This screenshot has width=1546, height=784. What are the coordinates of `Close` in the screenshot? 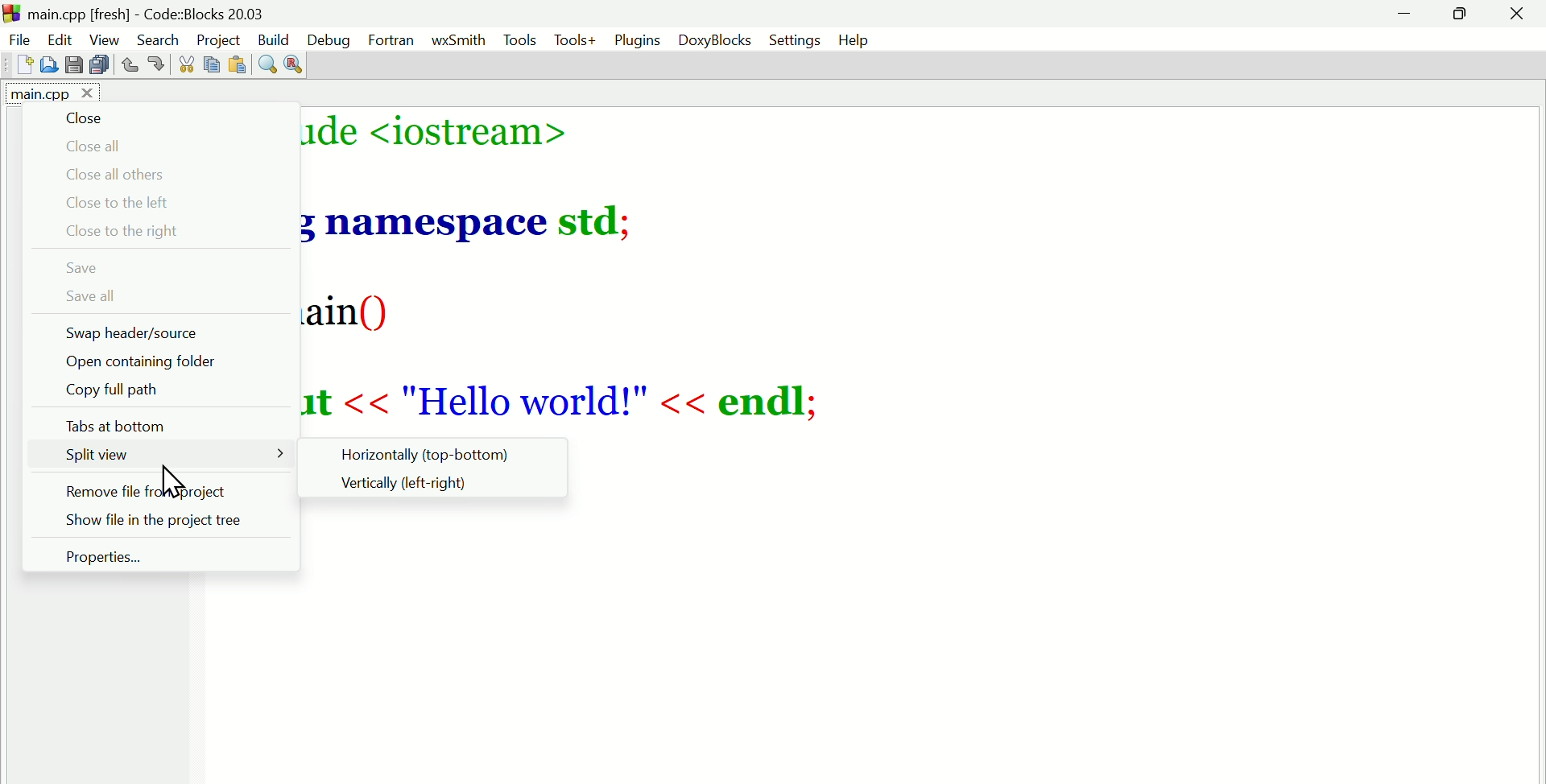 It's located at (97, 118).